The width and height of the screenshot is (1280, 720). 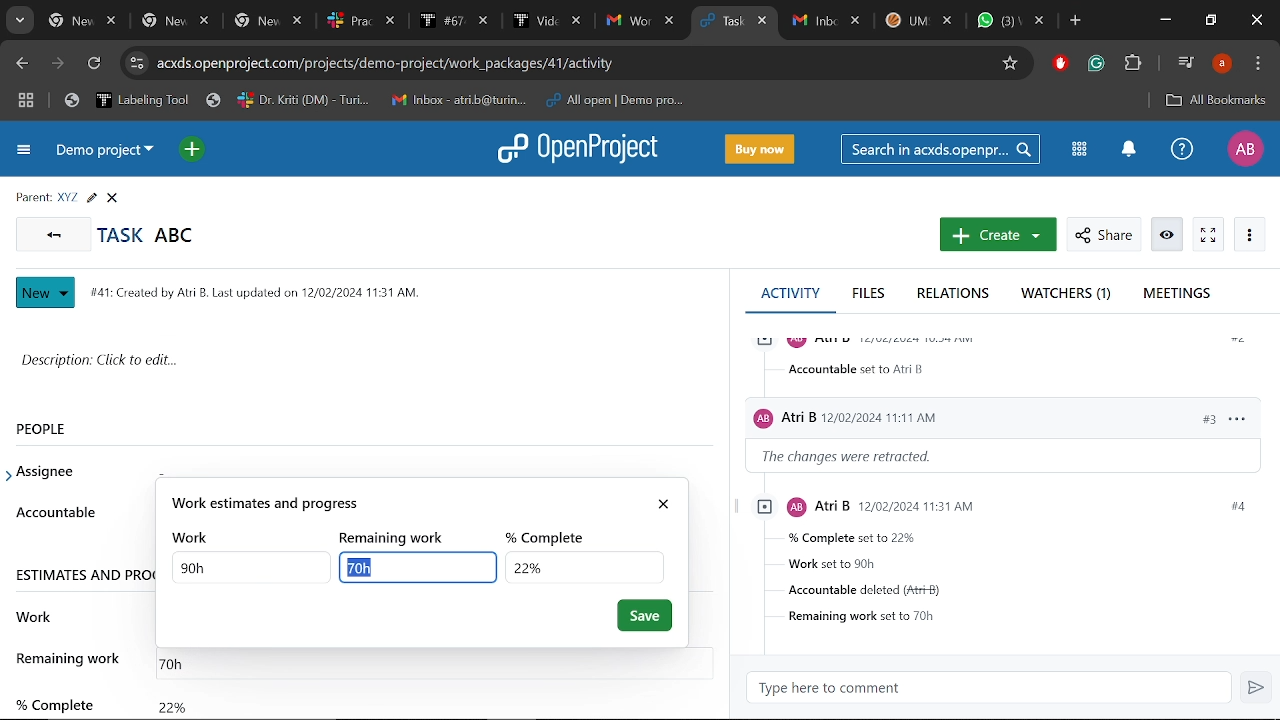 I want to click on task info, so click(x=263, y=290).